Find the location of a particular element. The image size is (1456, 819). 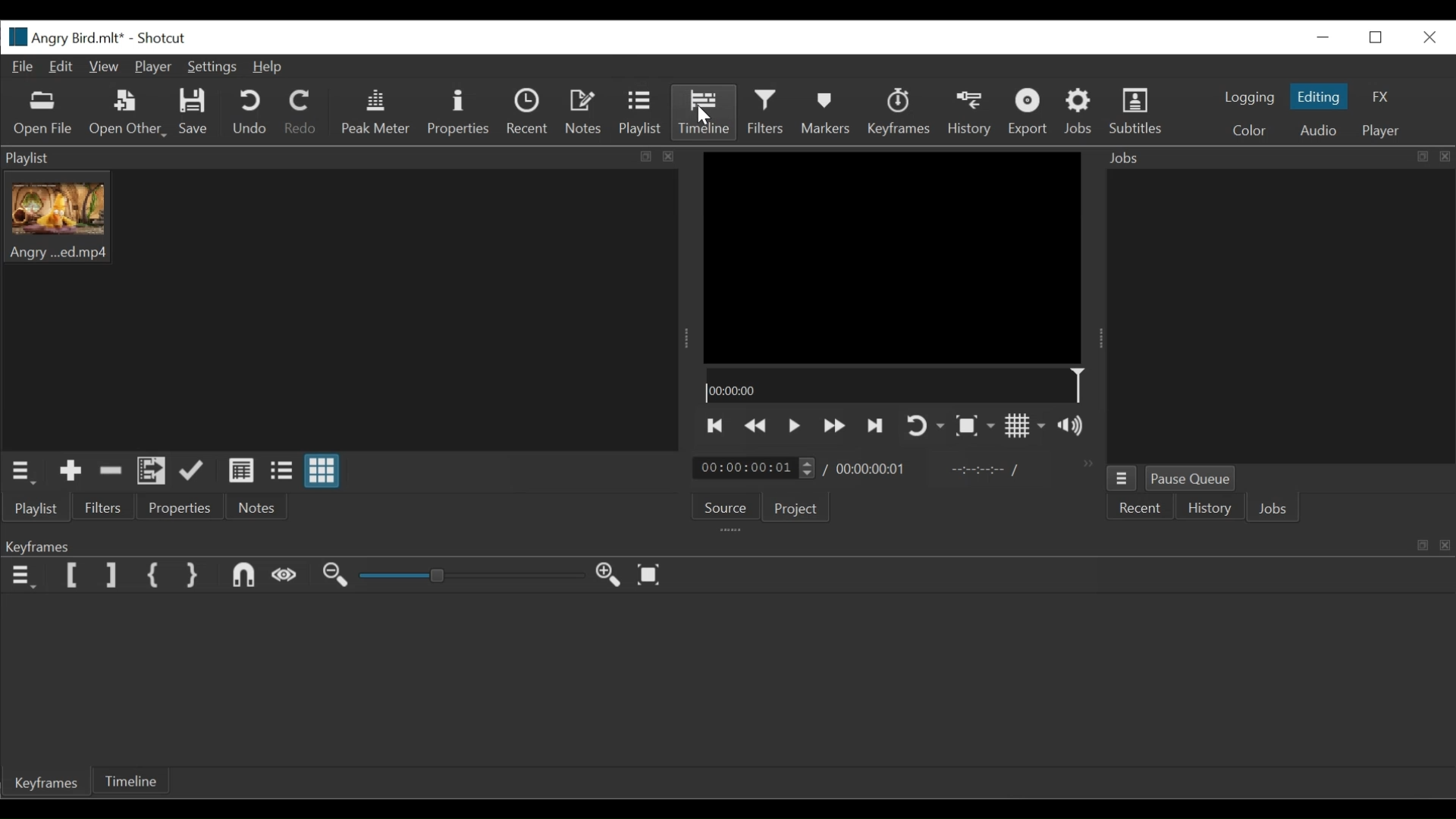

Total duration is located at coordinates (871, 469).